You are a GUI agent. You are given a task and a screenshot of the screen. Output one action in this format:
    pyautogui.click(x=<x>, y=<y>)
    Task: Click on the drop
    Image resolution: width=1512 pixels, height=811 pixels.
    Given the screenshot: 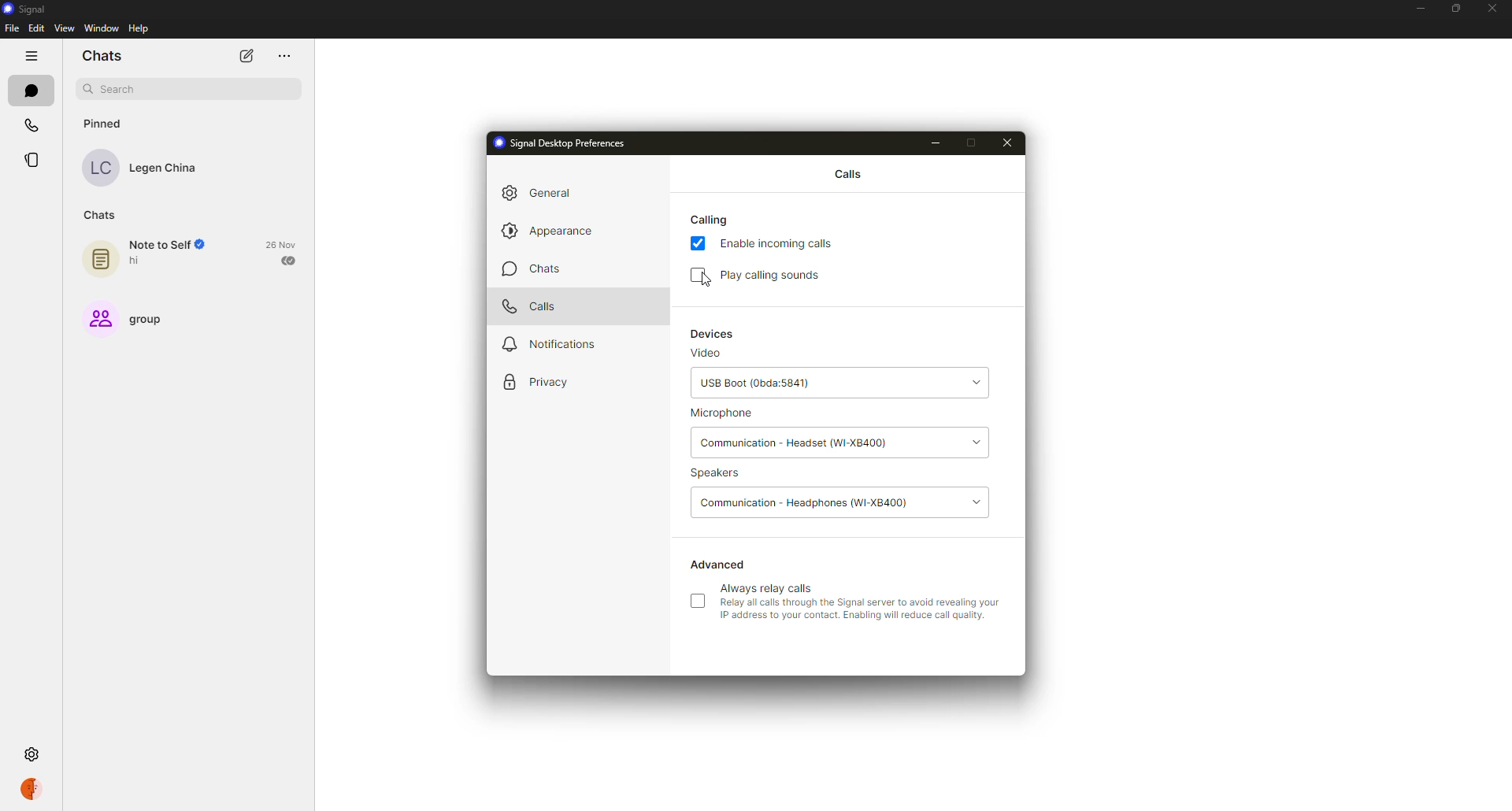 What is the action you would take?
    pyautogui.click(x=980, y=438)
    